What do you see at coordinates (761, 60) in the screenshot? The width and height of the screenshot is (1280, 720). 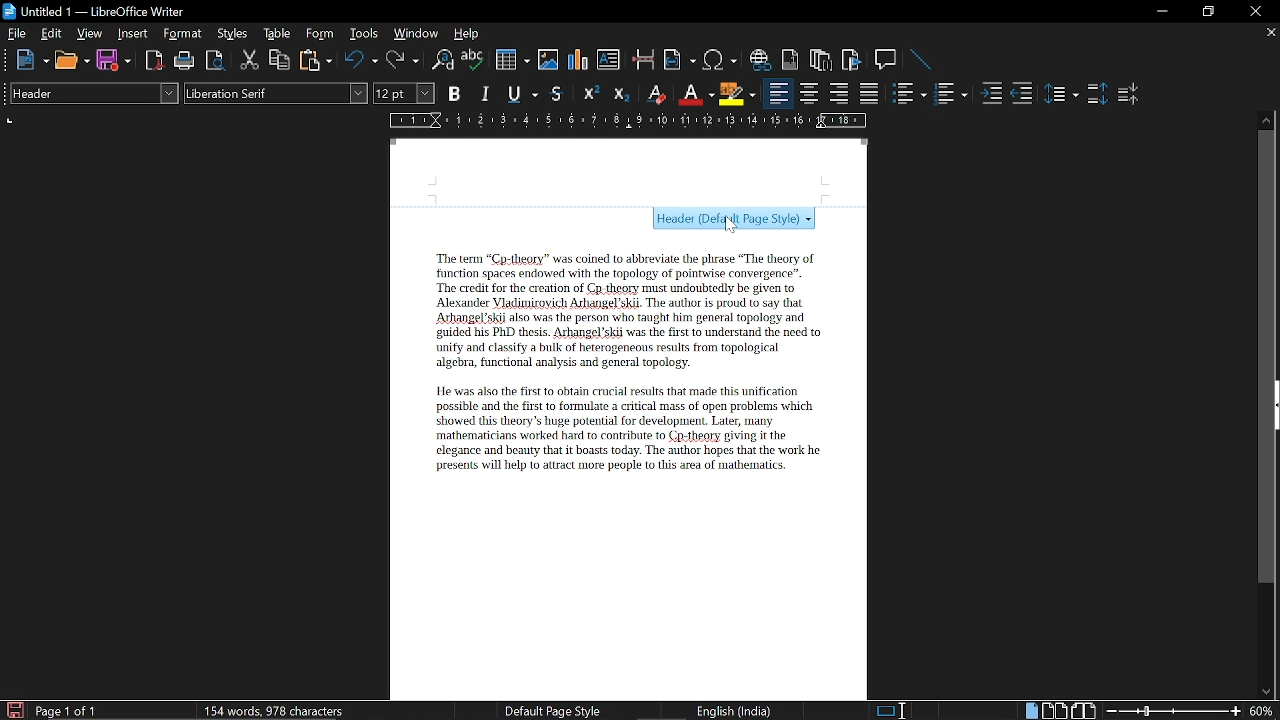 I see `Insert hyperlink` at bounding box center [761, 60].